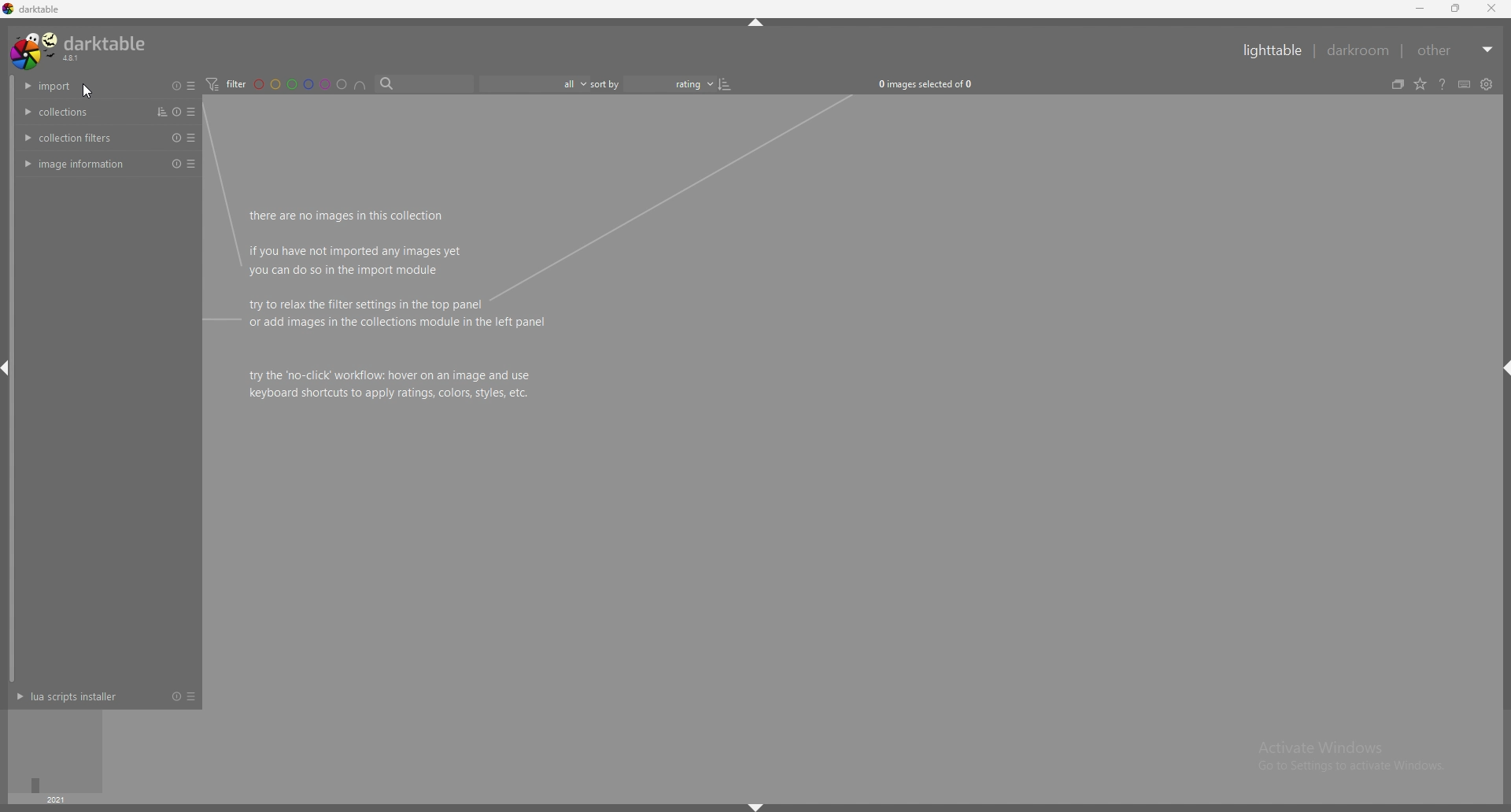  What do you see at coordinates (1491, 9) in the screenshot?
I see `close` at bounding box center [1491, 9].